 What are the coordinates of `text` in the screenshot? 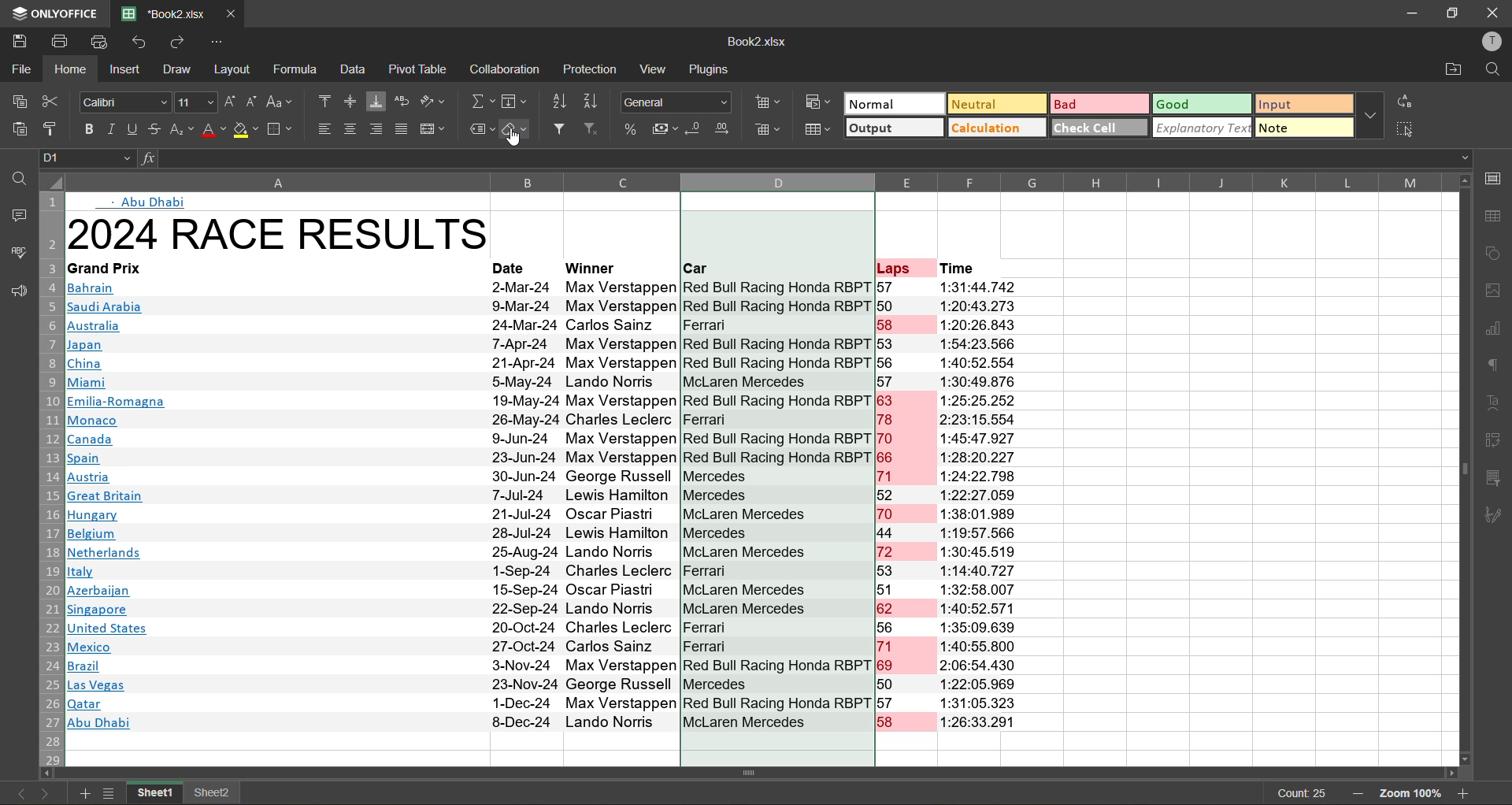 It's located at (1497, 402).